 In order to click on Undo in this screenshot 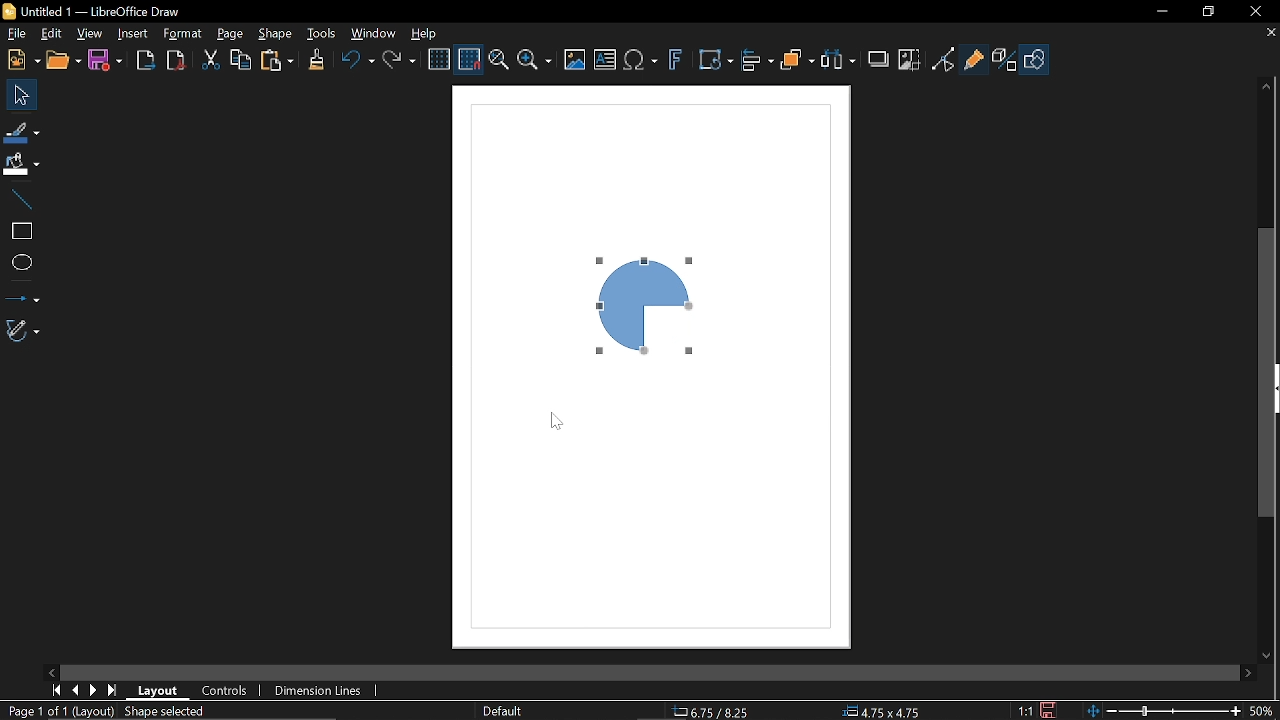, I will do `click(355, 61)`.